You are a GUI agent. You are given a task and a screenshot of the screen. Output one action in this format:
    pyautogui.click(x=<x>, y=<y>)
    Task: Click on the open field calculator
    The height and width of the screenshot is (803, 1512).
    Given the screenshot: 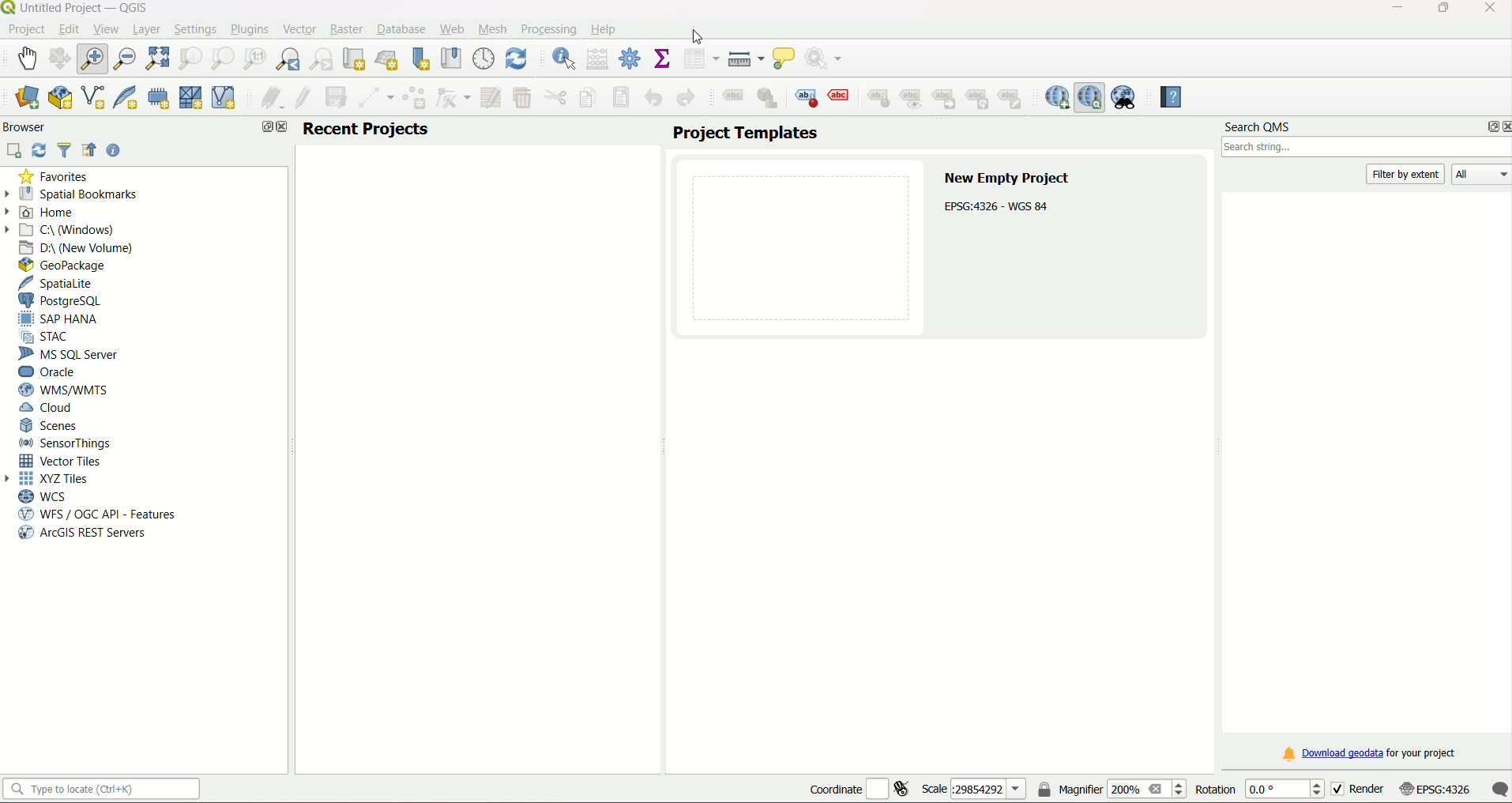 What is the action you would take?
    pyautogui.click(x=598, y=58)
    